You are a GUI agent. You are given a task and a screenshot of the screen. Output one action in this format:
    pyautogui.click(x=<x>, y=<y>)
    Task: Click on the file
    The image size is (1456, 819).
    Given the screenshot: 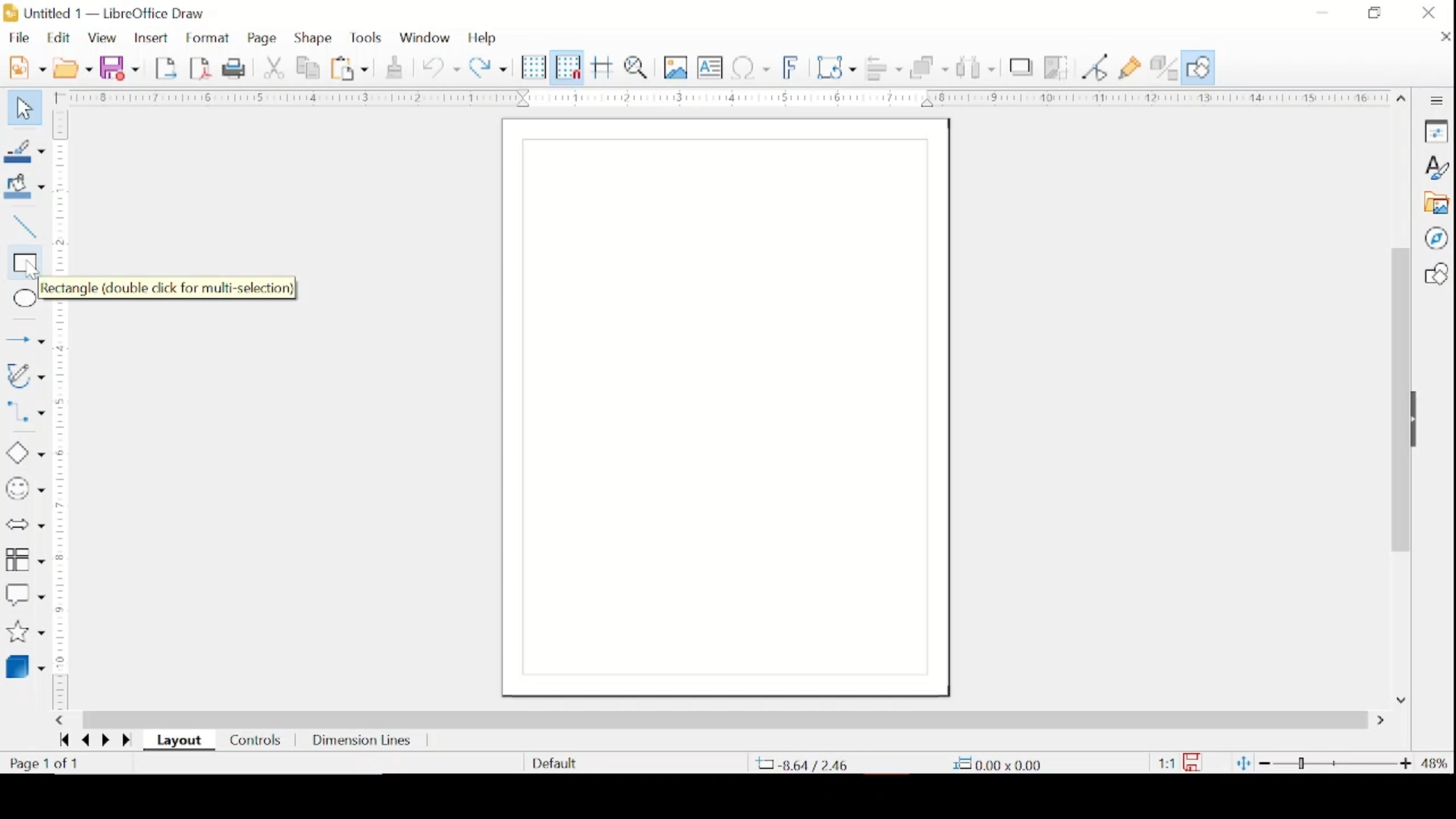 What is the action you would take?
    pyautogui.click(x=19, y=37)
    